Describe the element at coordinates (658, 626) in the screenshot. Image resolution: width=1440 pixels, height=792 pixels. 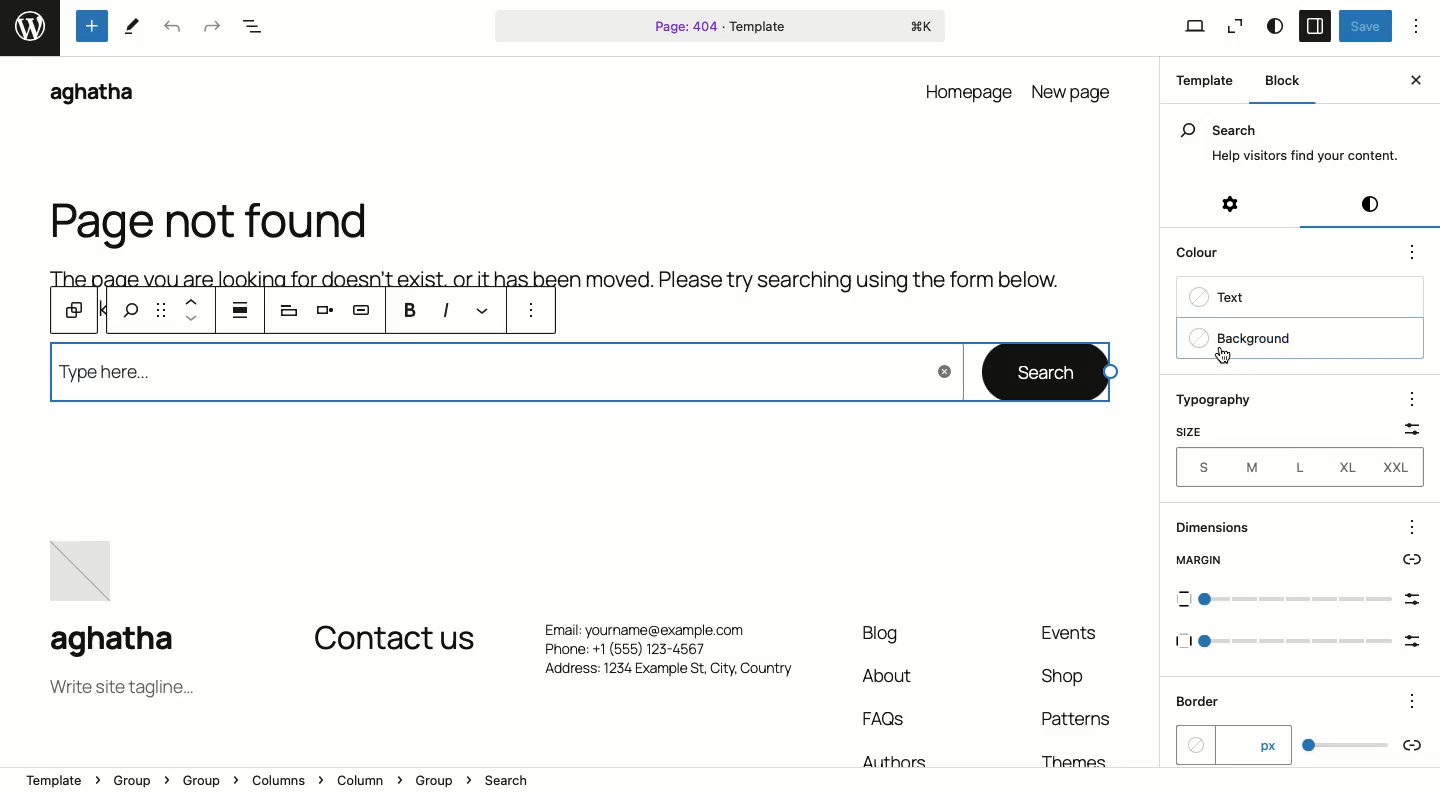
I see `Email: yourname@example.com` at that location.